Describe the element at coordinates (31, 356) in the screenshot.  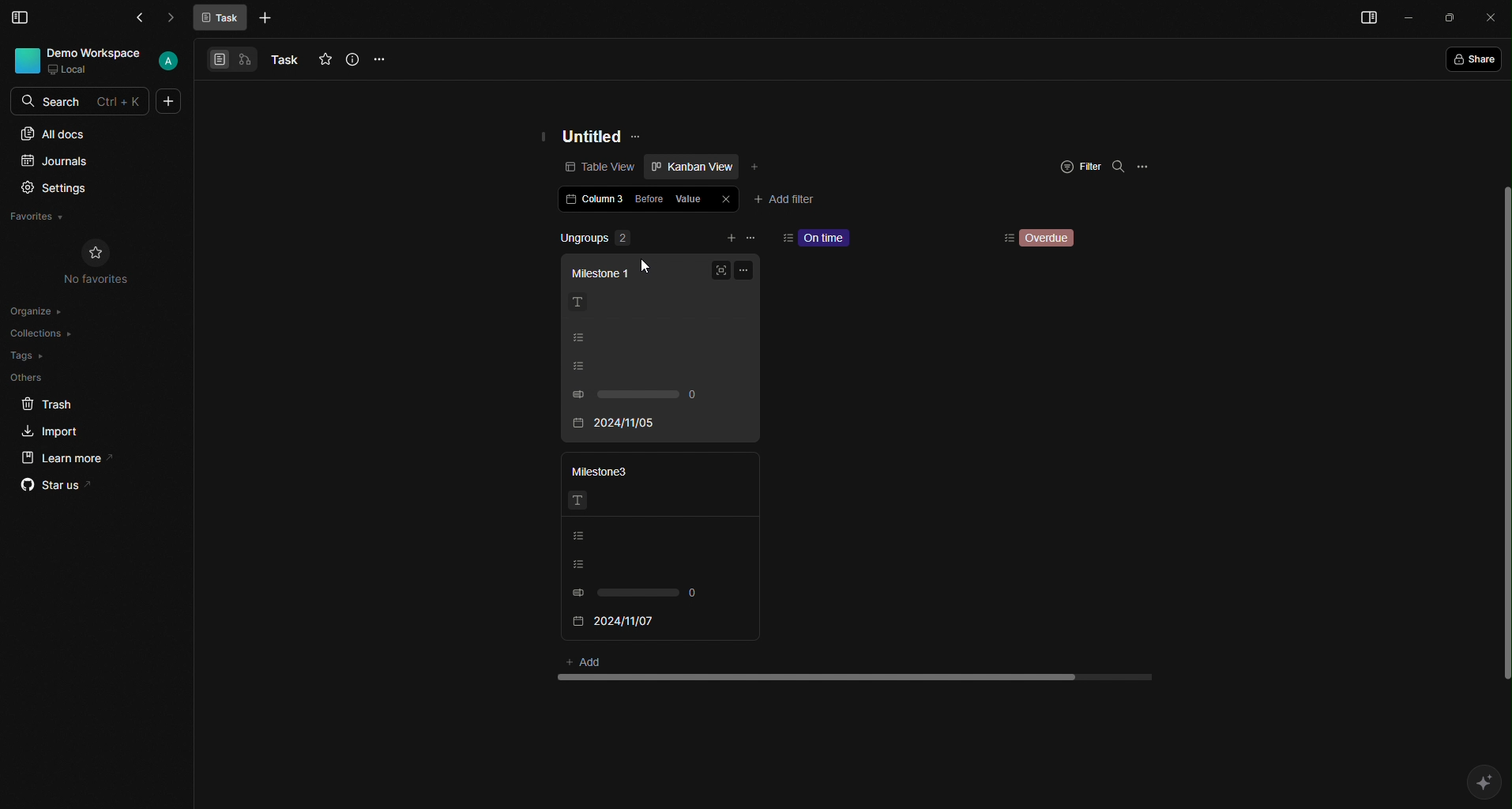
I see `Tags` at that location.